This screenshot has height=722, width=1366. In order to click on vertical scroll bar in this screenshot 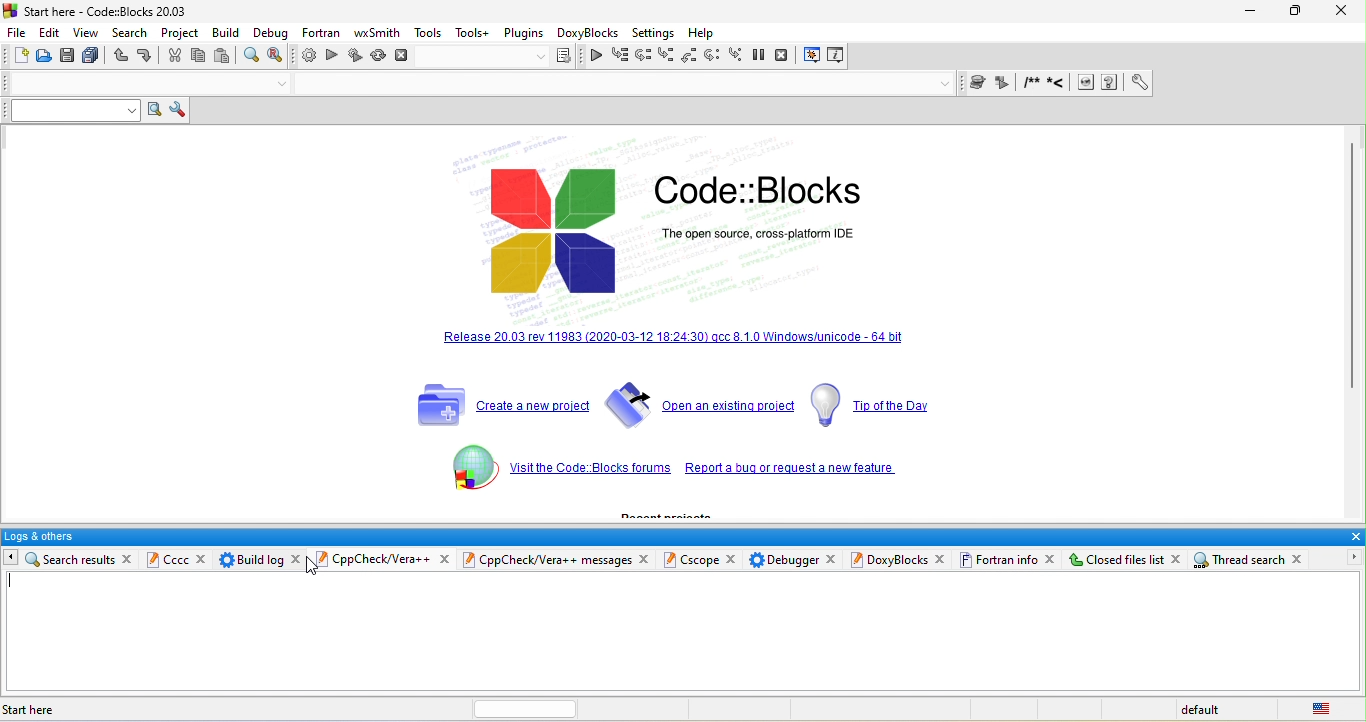, I will do `click(1357, 269)`.